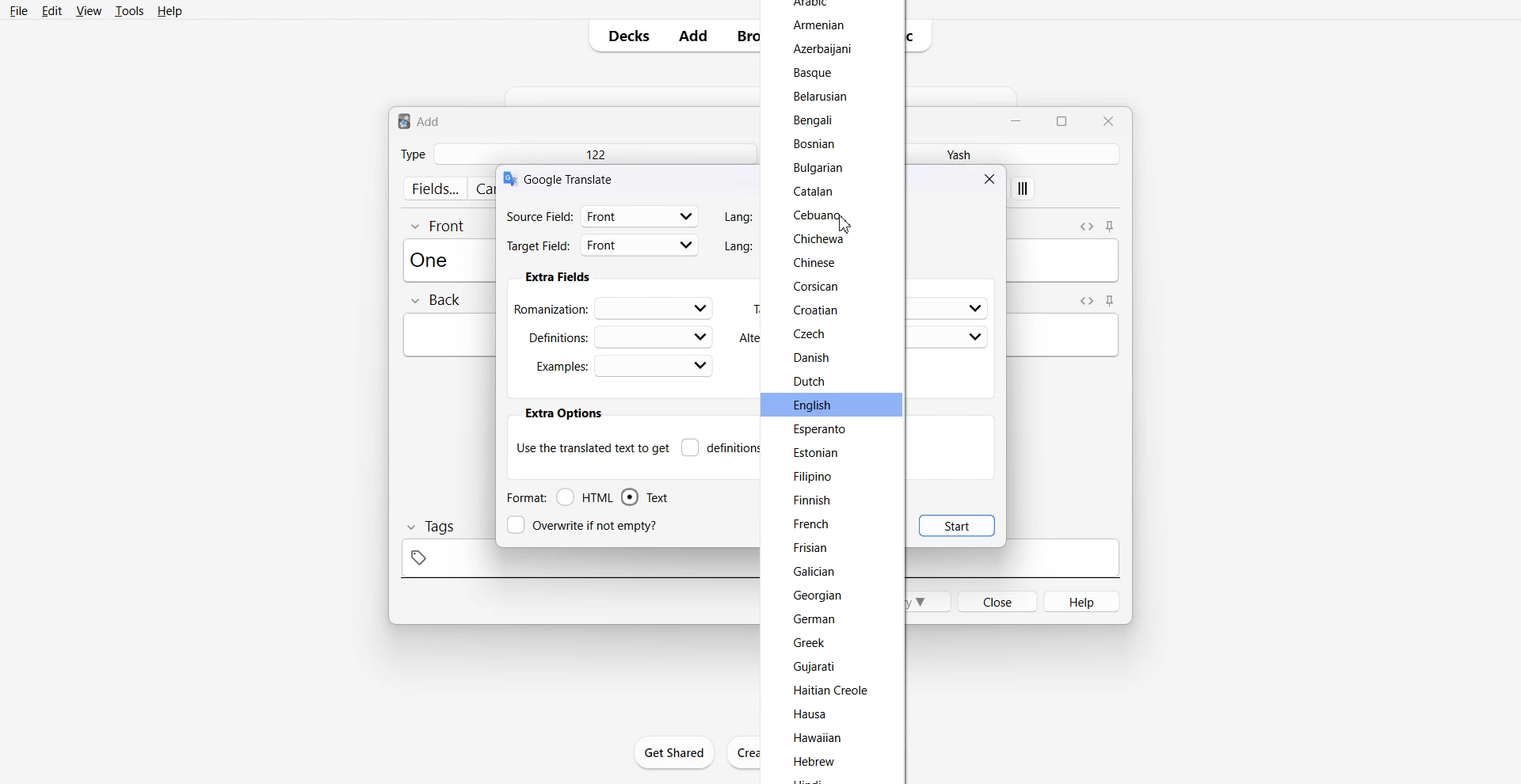  What do you see at coordinates (992, 178) in the screenshot?
I see `Close` at bounding box center [992, 178].